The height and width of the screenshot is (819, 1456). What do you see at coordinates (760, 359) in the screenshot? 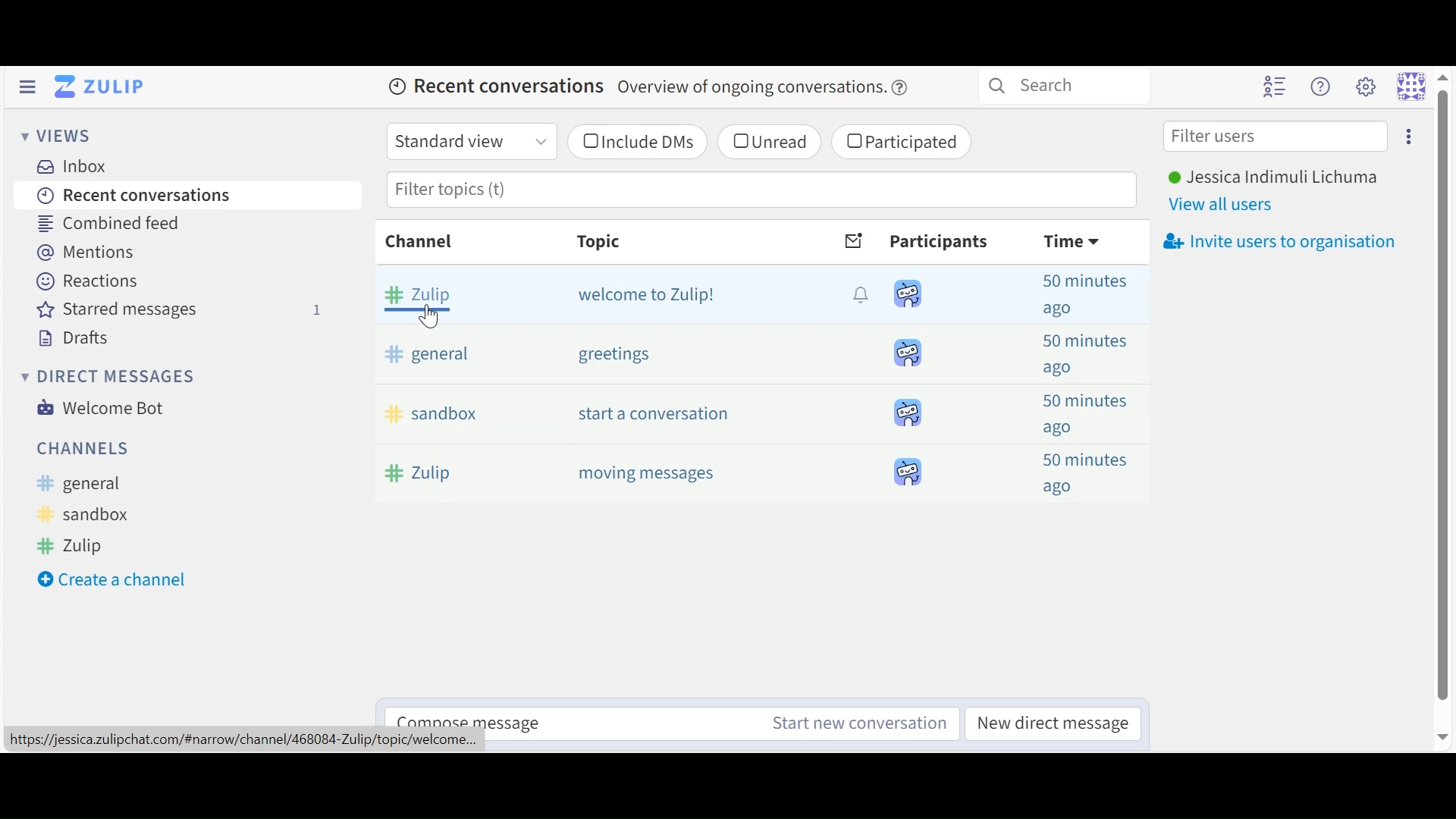
I see `message` at bounding box center [760, 359].